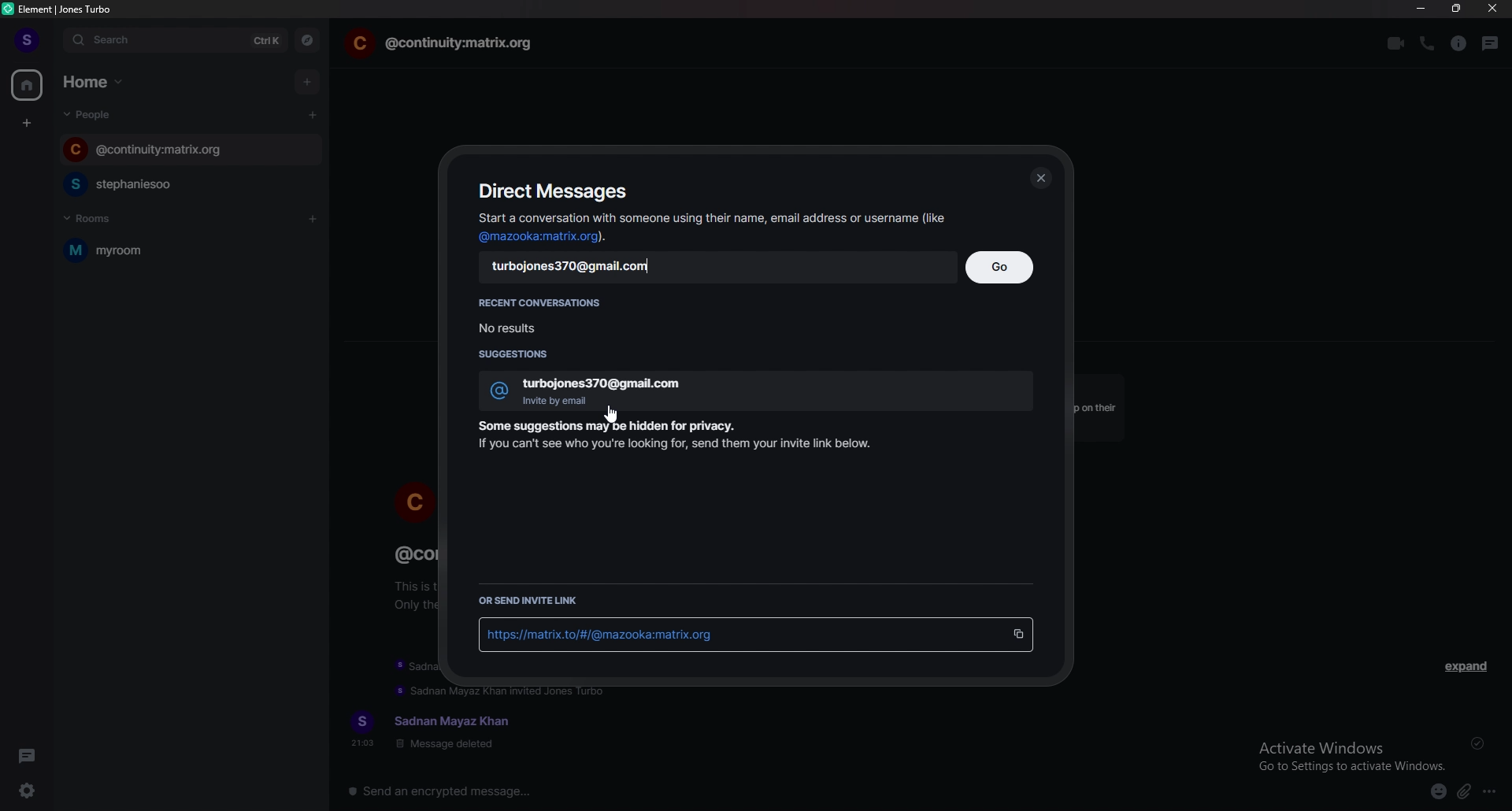 Image resolution: width=1512 pixels, height=811 pixels. What do you see at coordinates (1395, 43) in the screenshot?
I see `video call` at bounding box center [1395, 43].